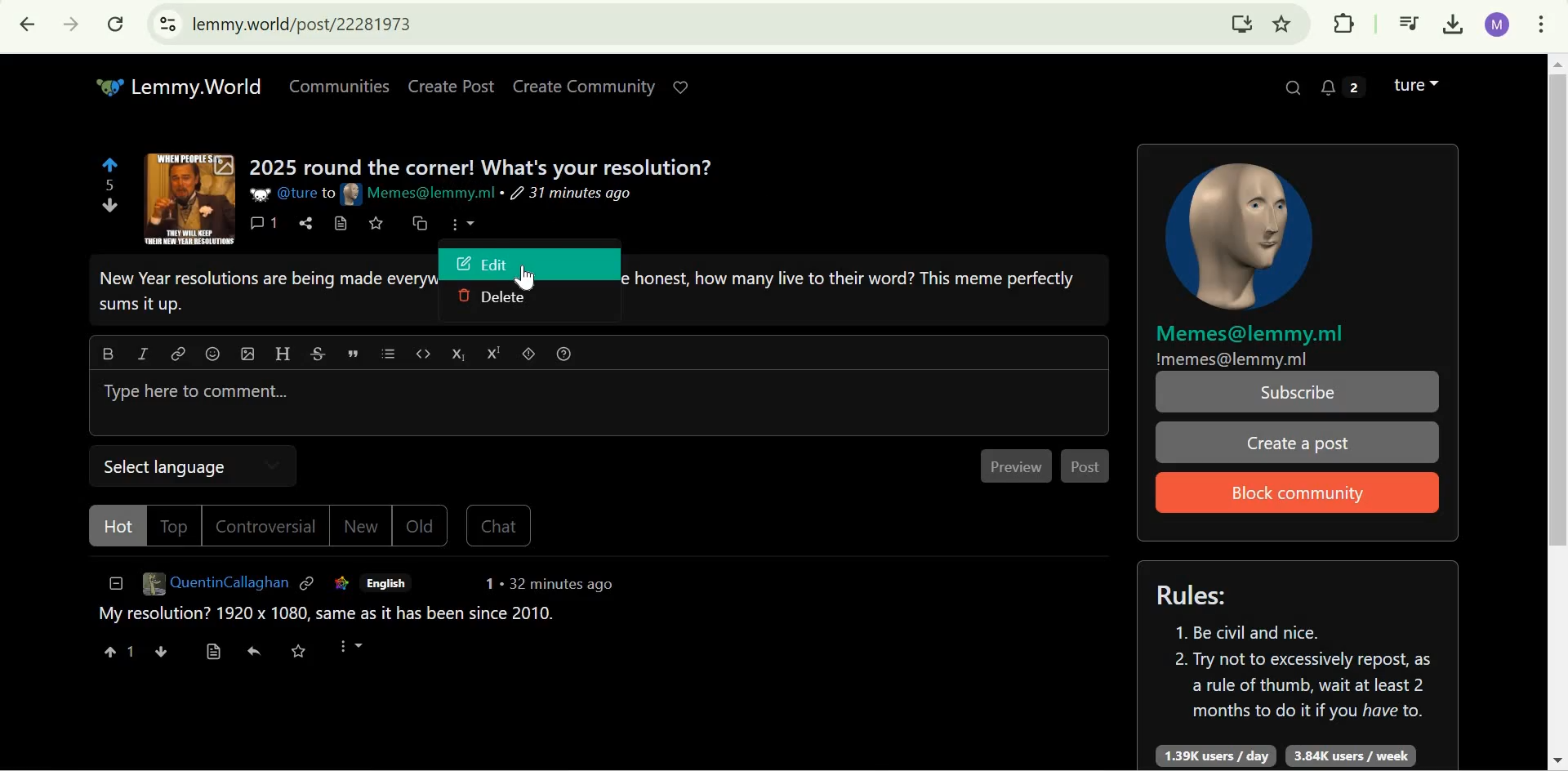 This screenshot has width=1568, height=771. Describe the element at coordinates (459, 223) in the screenshot. I see `more` at that location.